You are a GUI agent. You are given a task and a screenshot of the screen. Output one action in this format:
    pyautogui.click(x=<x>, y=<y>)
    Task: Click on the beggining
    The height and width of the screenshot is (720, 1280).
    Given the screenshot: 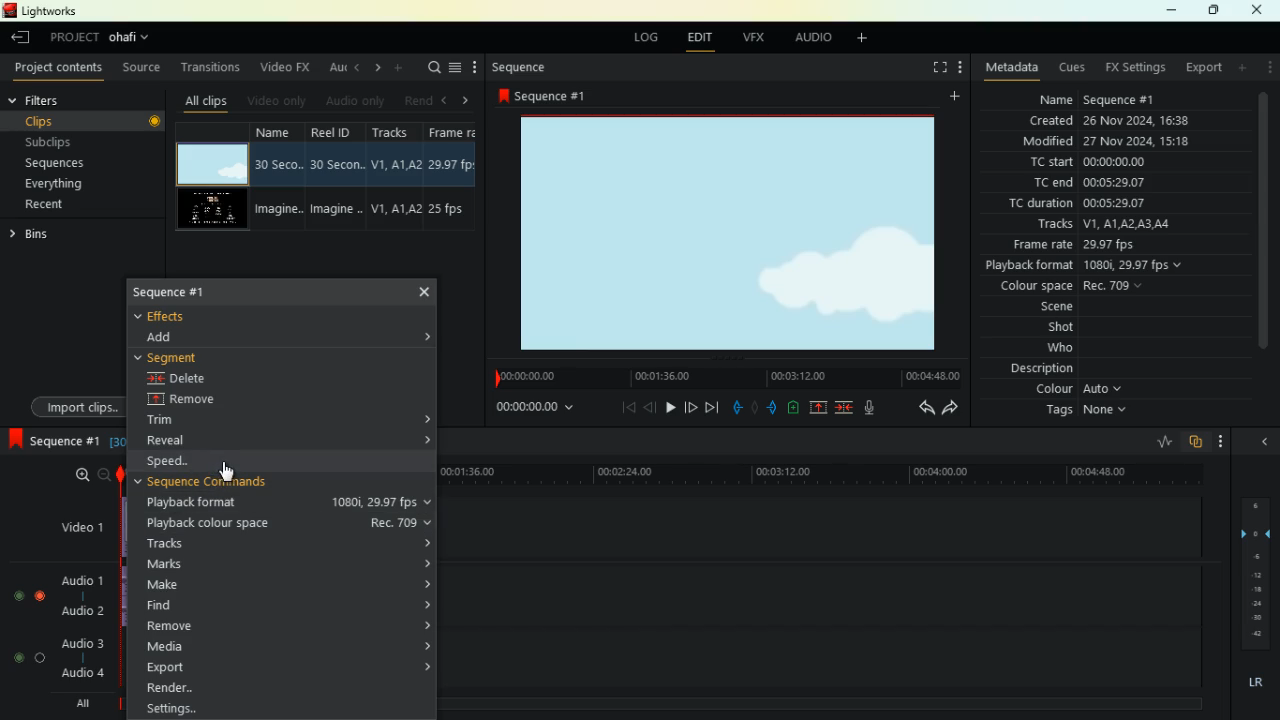 What is the action you would take?
    pyautogui.click(x=620, y=407)
    